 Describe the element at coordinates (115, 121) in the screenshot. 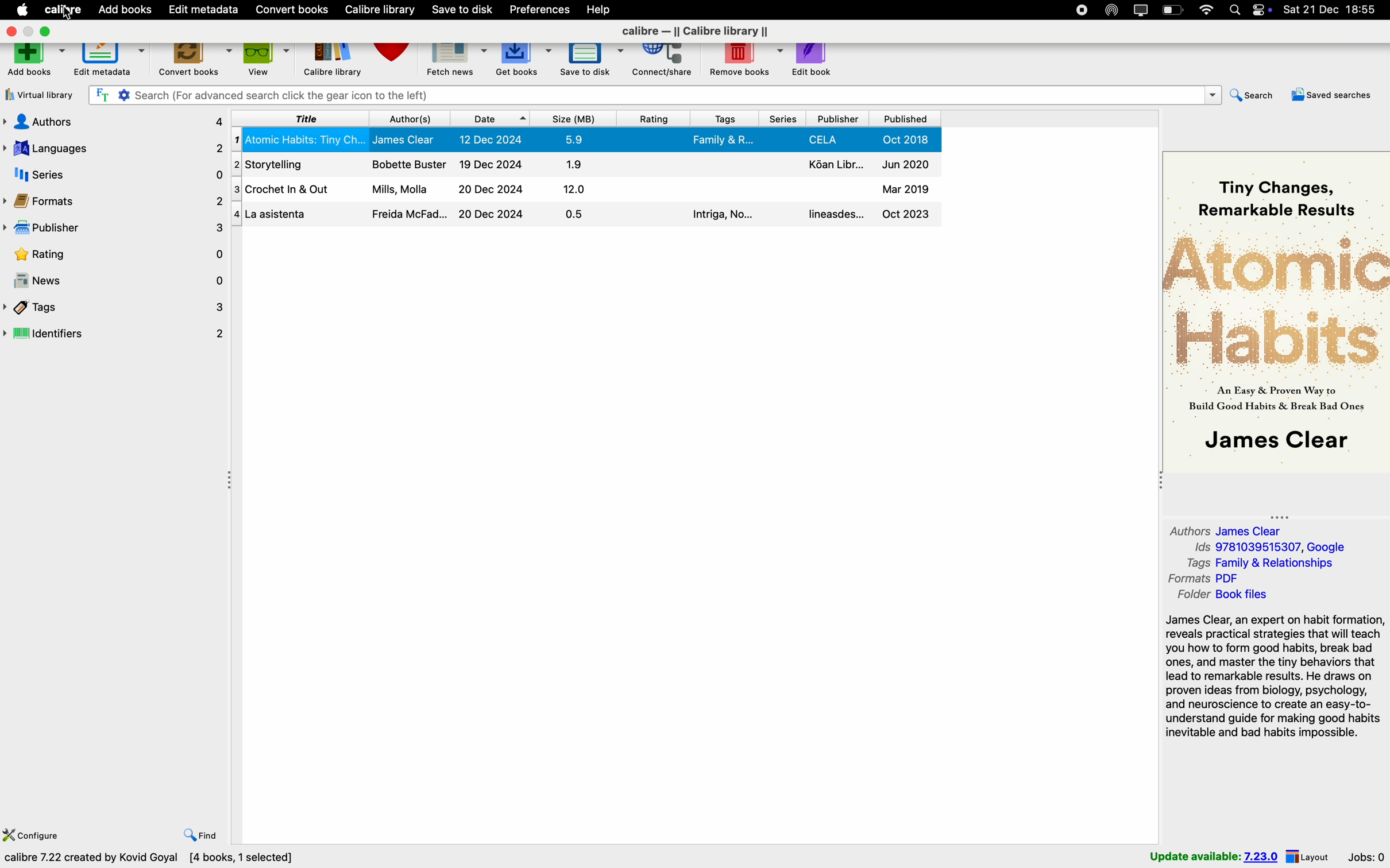

I see `authors` at that location.